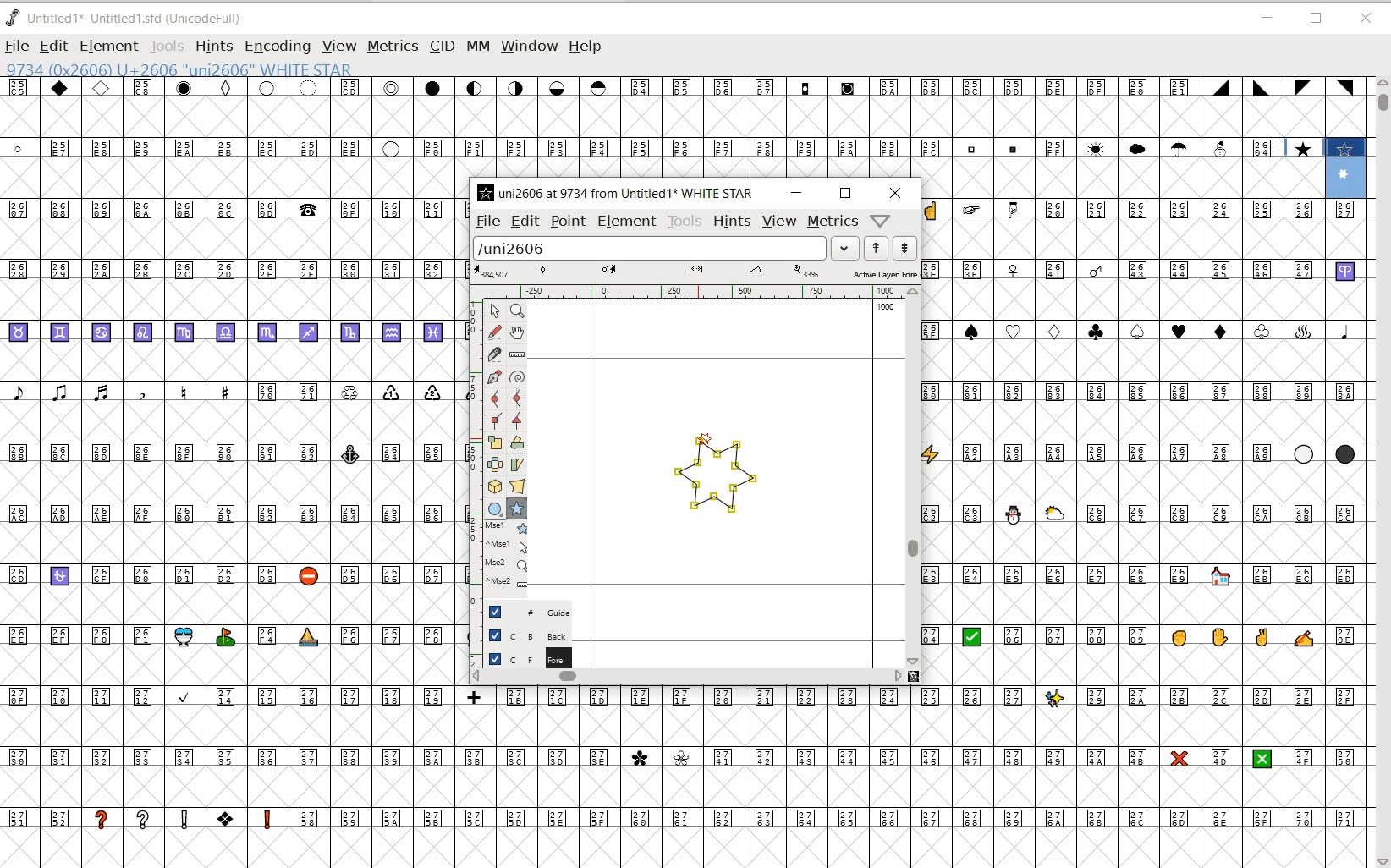 The height and width of the screenshot is (868, 1391). I want to click on a star shape glyph creation, so click(712, 481).